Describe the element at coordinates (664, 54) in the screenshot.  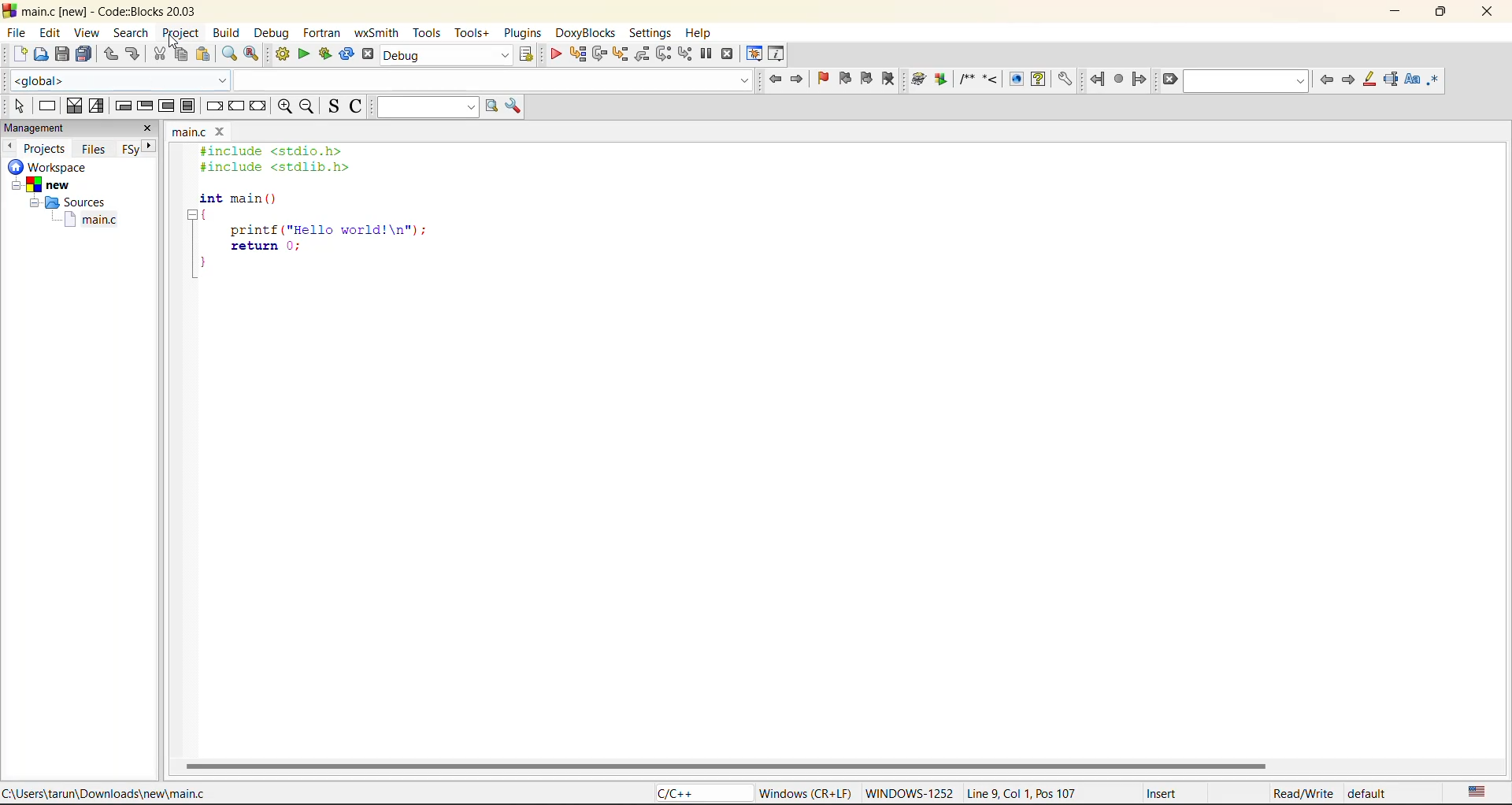
I see `next instruction` at that location.